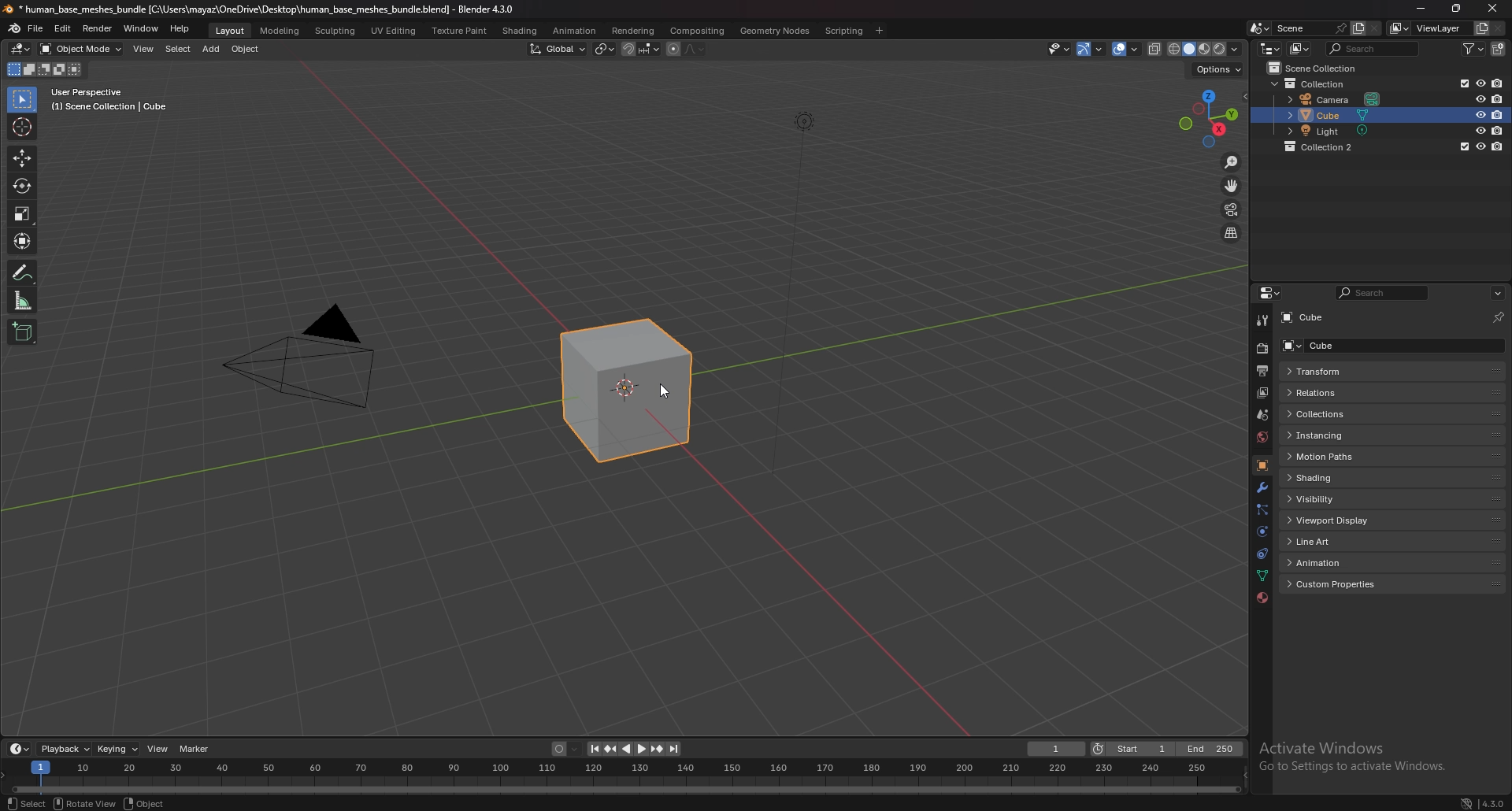 This screenshot has width=1512, height=811. What do you see at coordinates (605, 49) in the screenshot?
I see `transform pivot point` at bounding box center [605, 49].